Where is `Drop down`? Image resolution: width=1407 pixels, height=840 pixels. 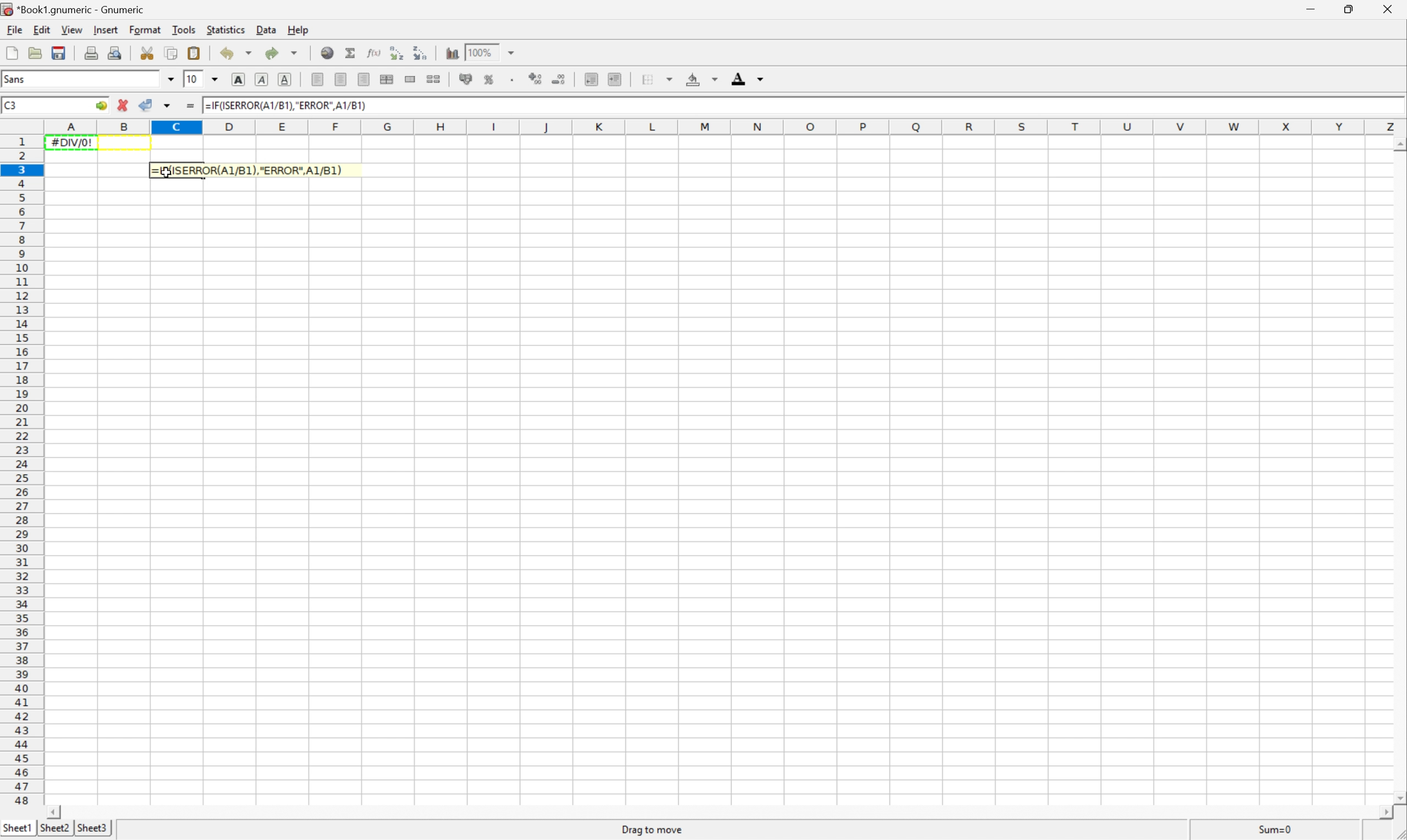
Drop down is located at coordinates (513, 51).